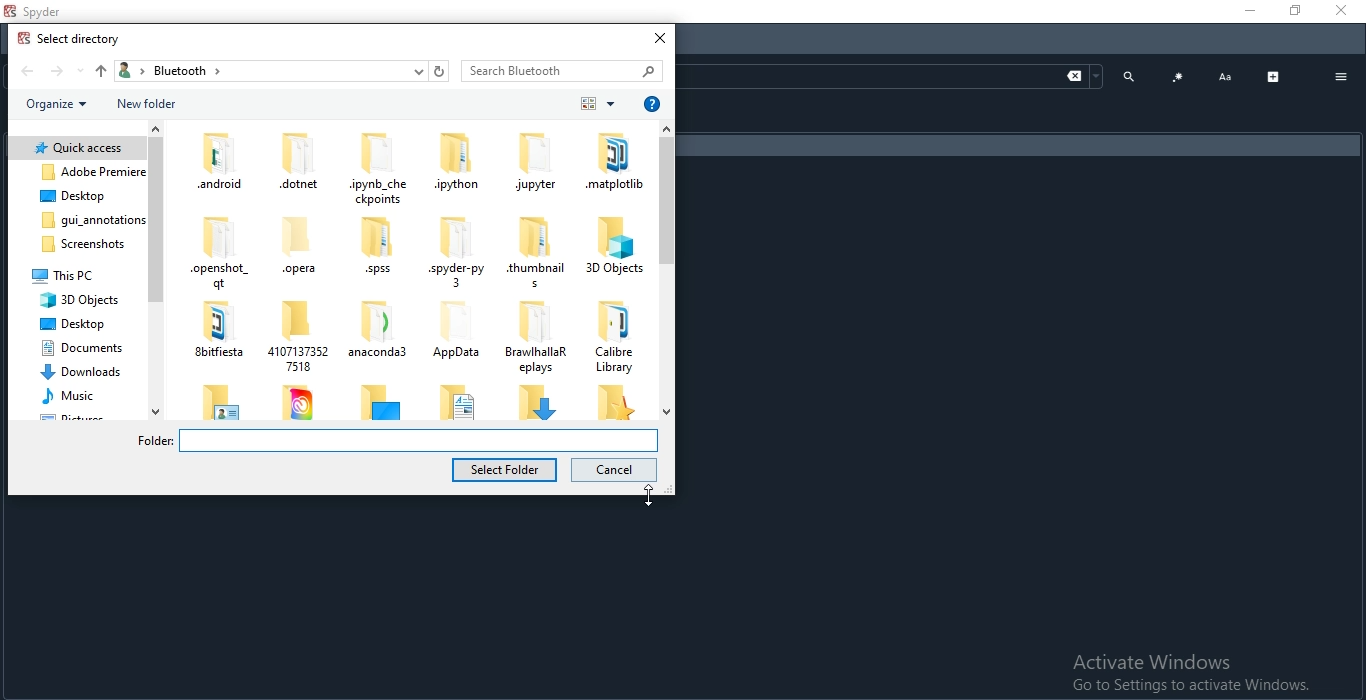 The width and height of the screenshot is (1366, 700). I want to click on folder, so click(451, 329).